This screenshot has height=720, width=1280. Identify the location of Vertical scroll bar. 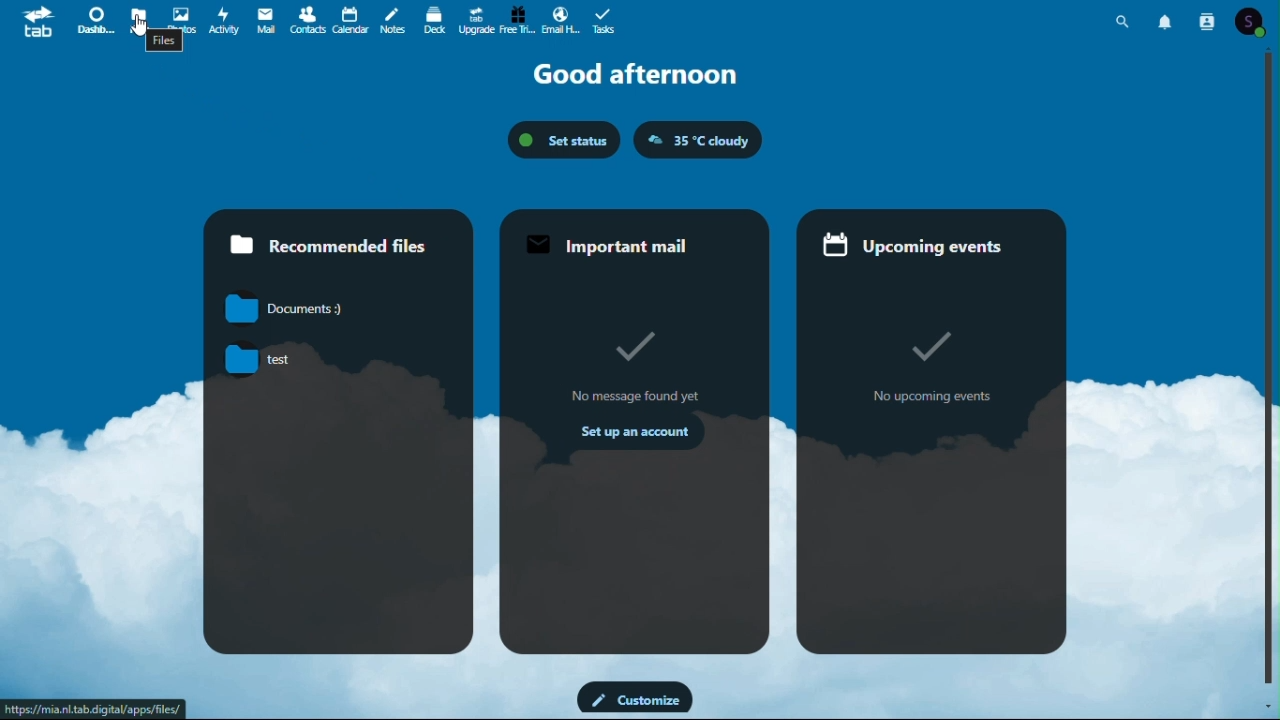
(1272, 371).